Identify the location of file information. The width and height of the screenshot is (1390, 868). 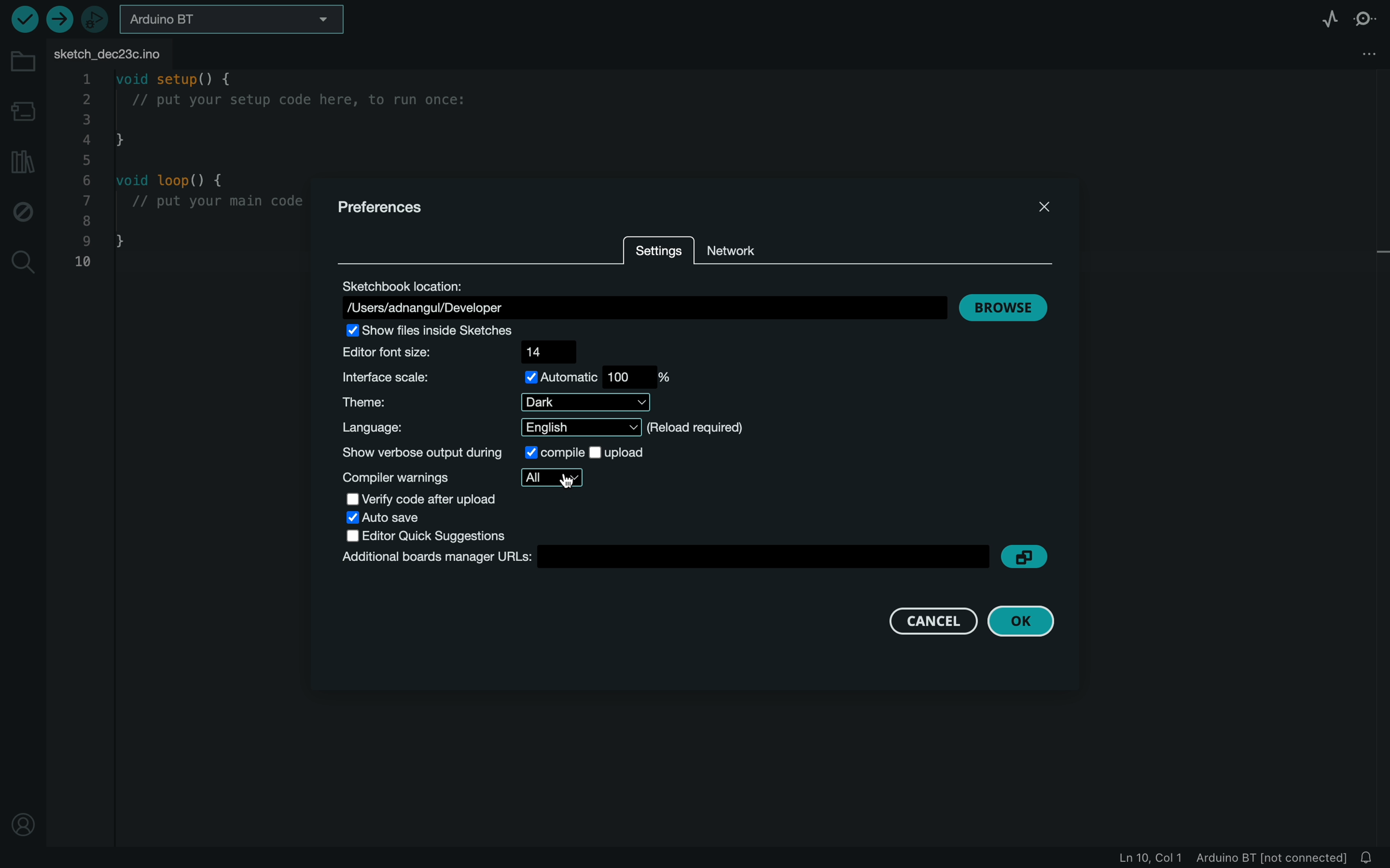
(1232, 858).